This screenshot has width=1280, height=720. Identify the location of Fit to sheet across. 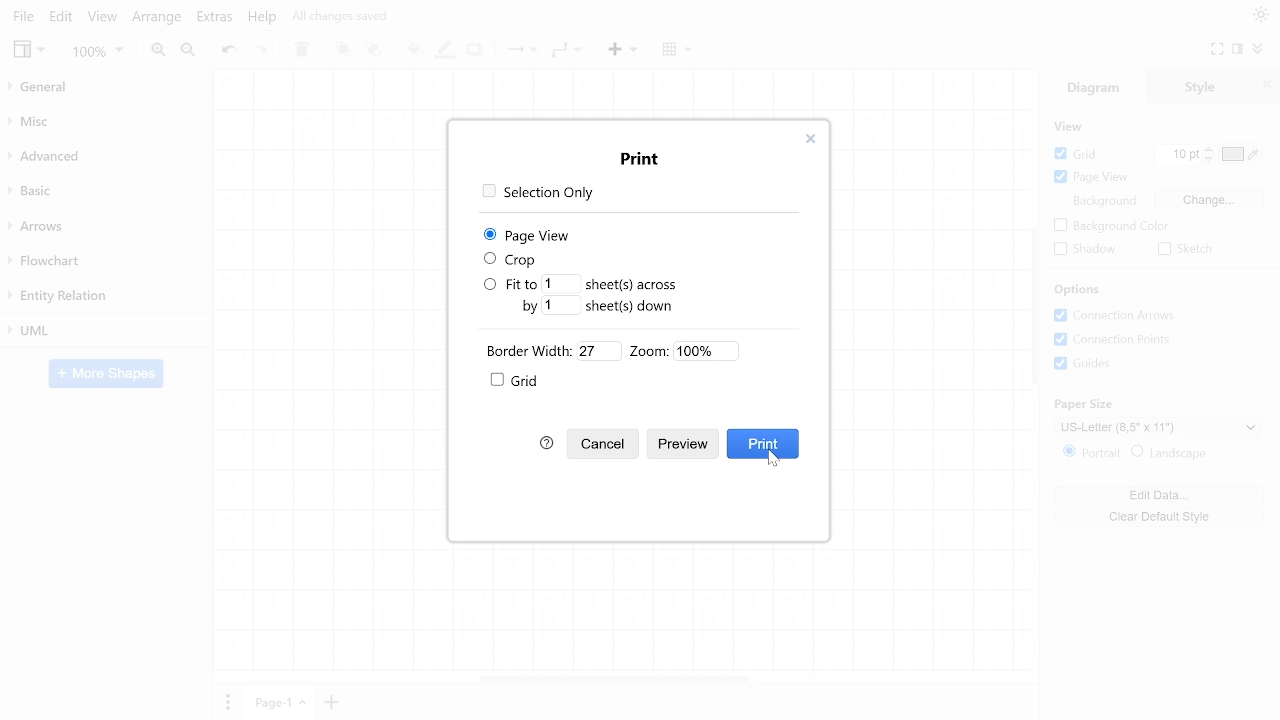
(581, 284).